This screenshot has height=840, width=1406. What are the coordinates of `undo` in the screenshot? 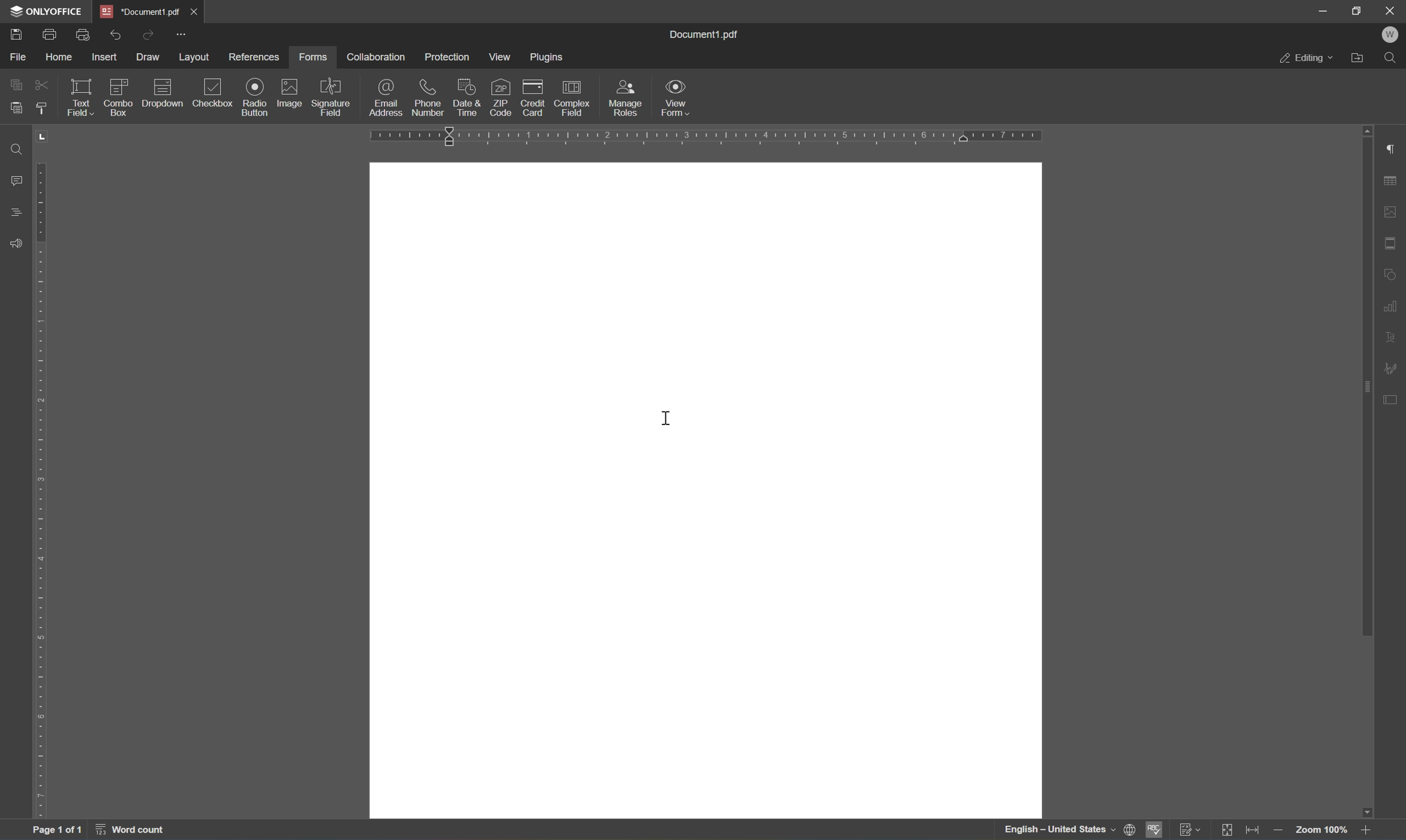 It's located at (117, 35).